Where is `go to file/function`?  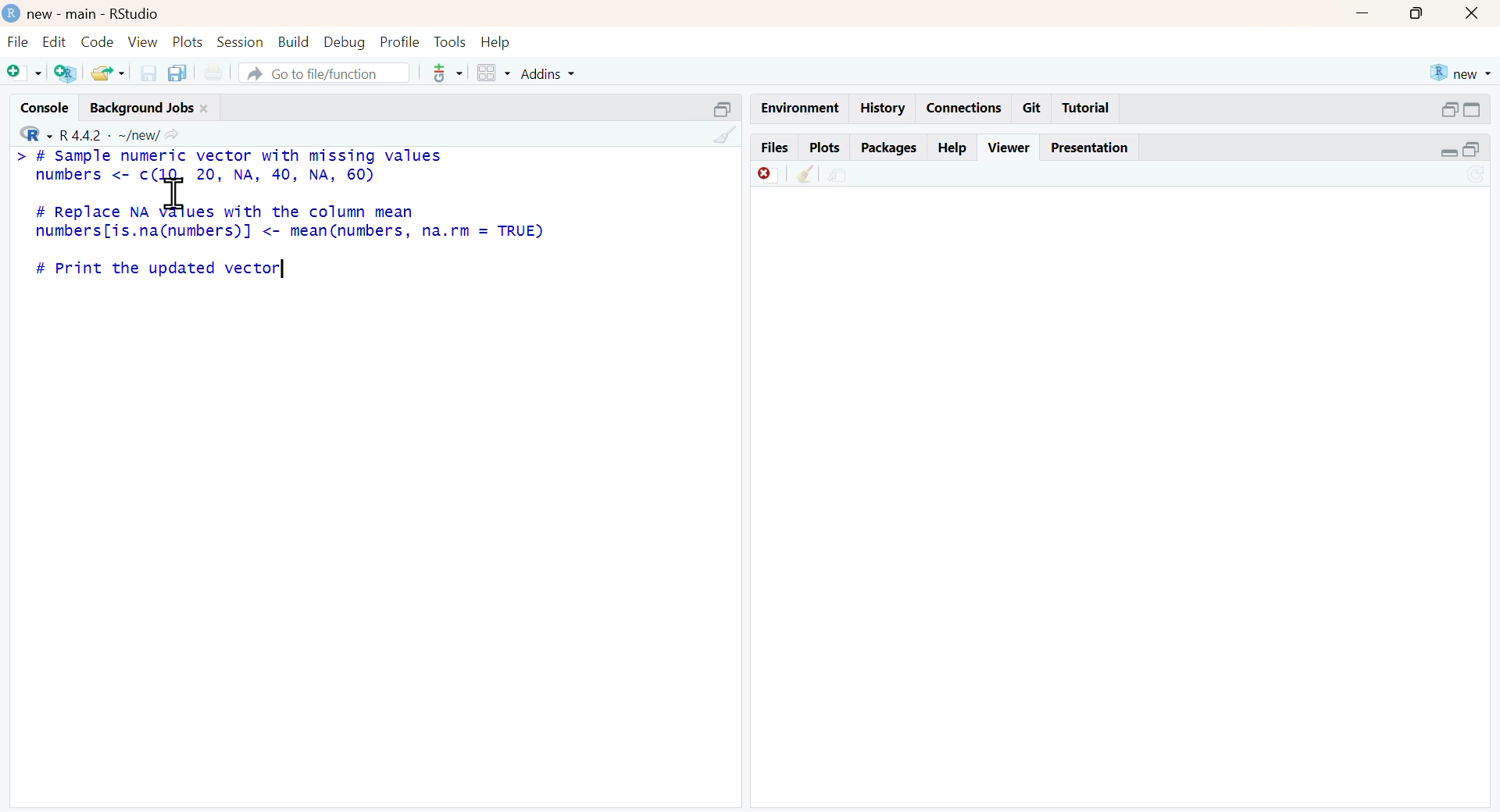
go to file/function is located at coordinates (325, 73).